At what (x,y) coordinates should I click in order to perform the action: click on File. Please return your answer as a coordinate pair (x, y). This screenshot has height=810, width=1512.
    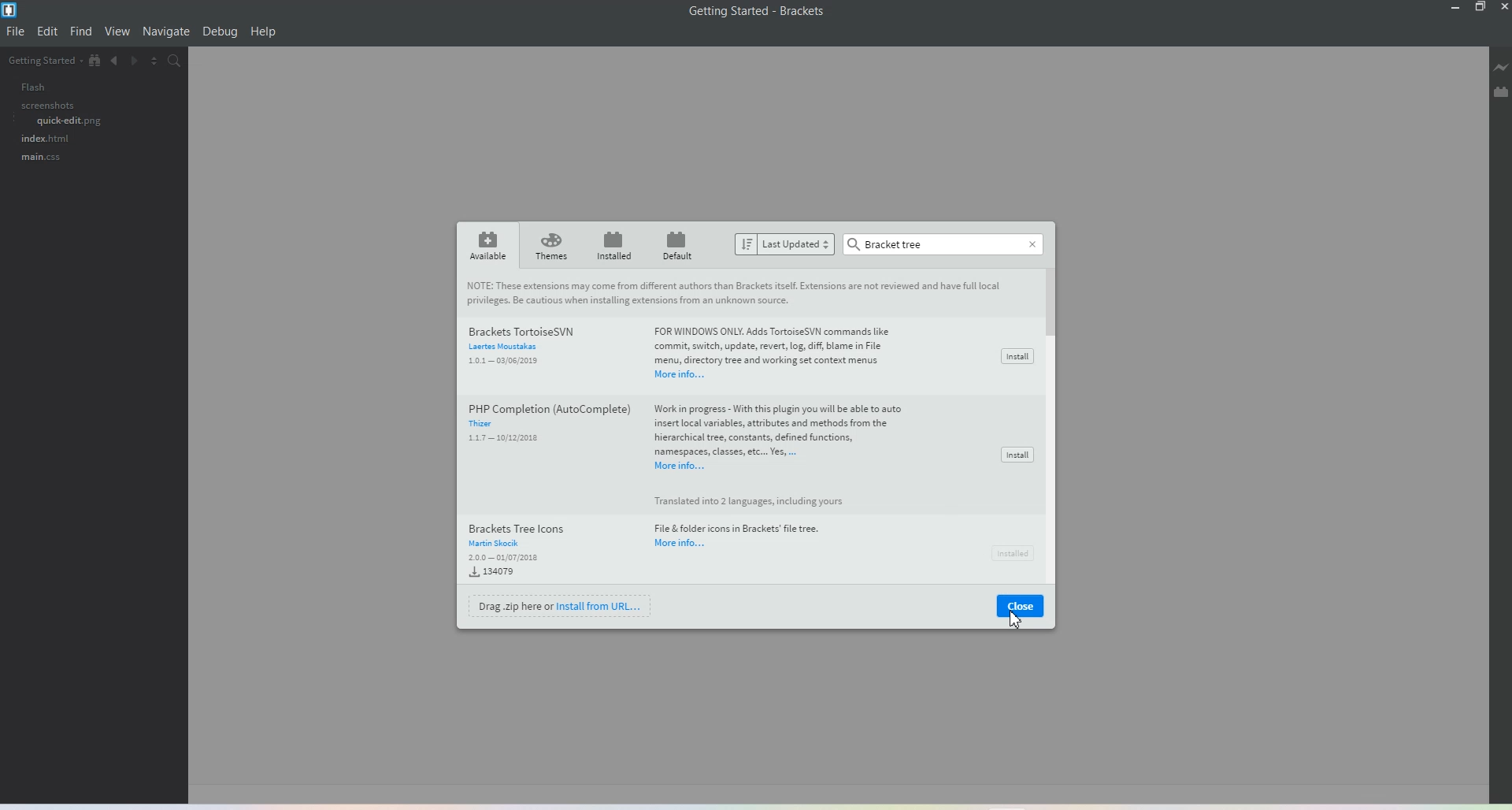
    Looking at the image, I should click on (17, 32).